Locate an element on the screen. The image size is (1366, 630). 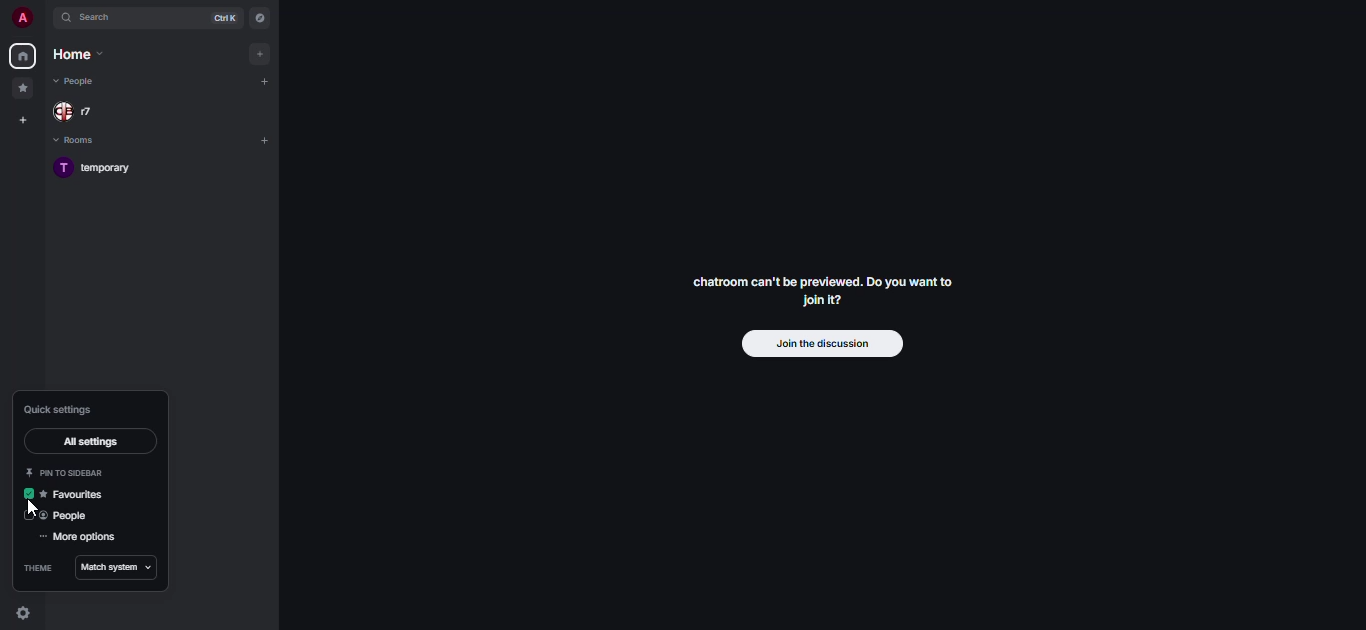
add is located at coordinates (264, 83).